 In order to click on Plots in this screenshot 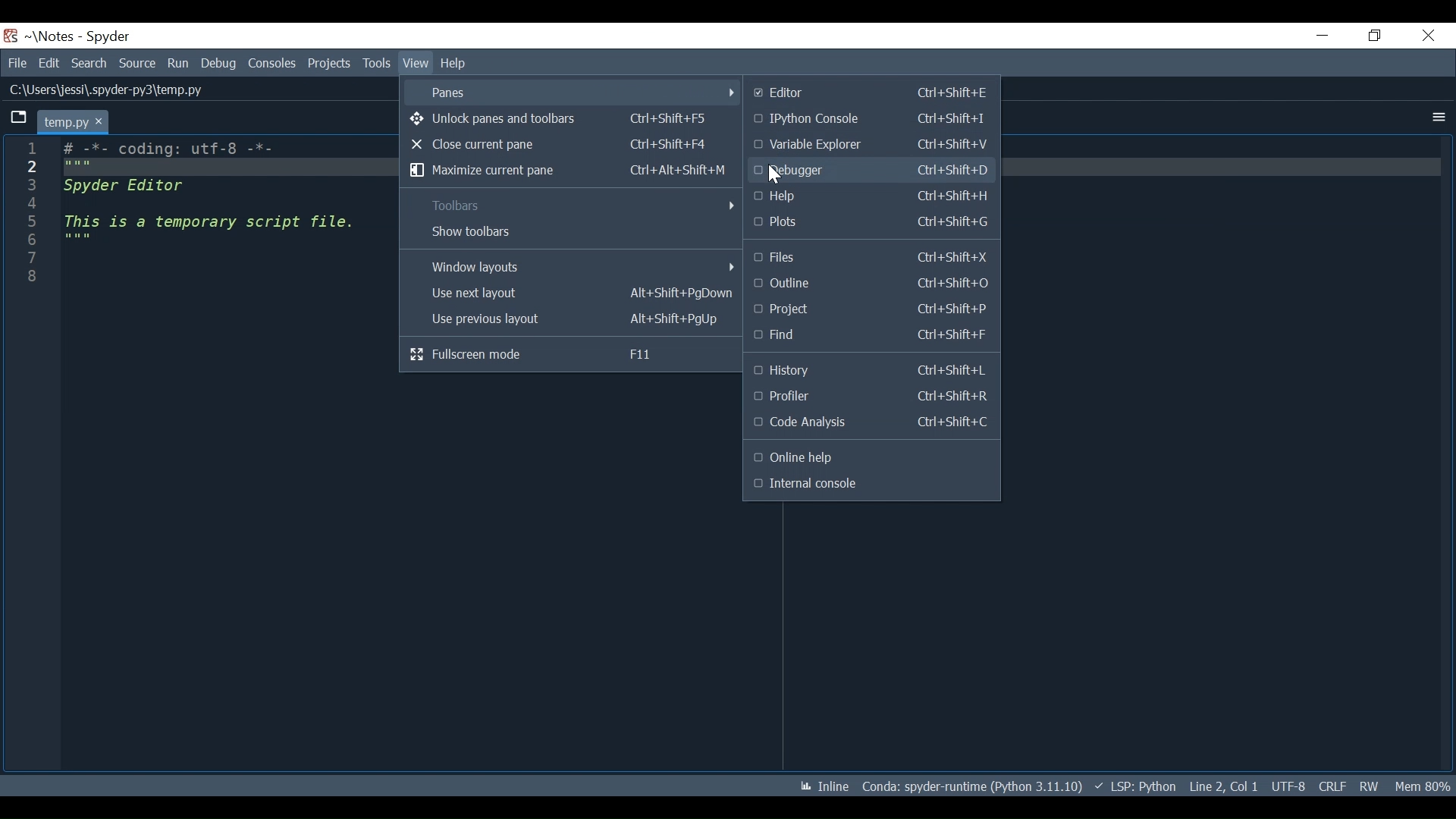, I will do `click(871, 222)`.